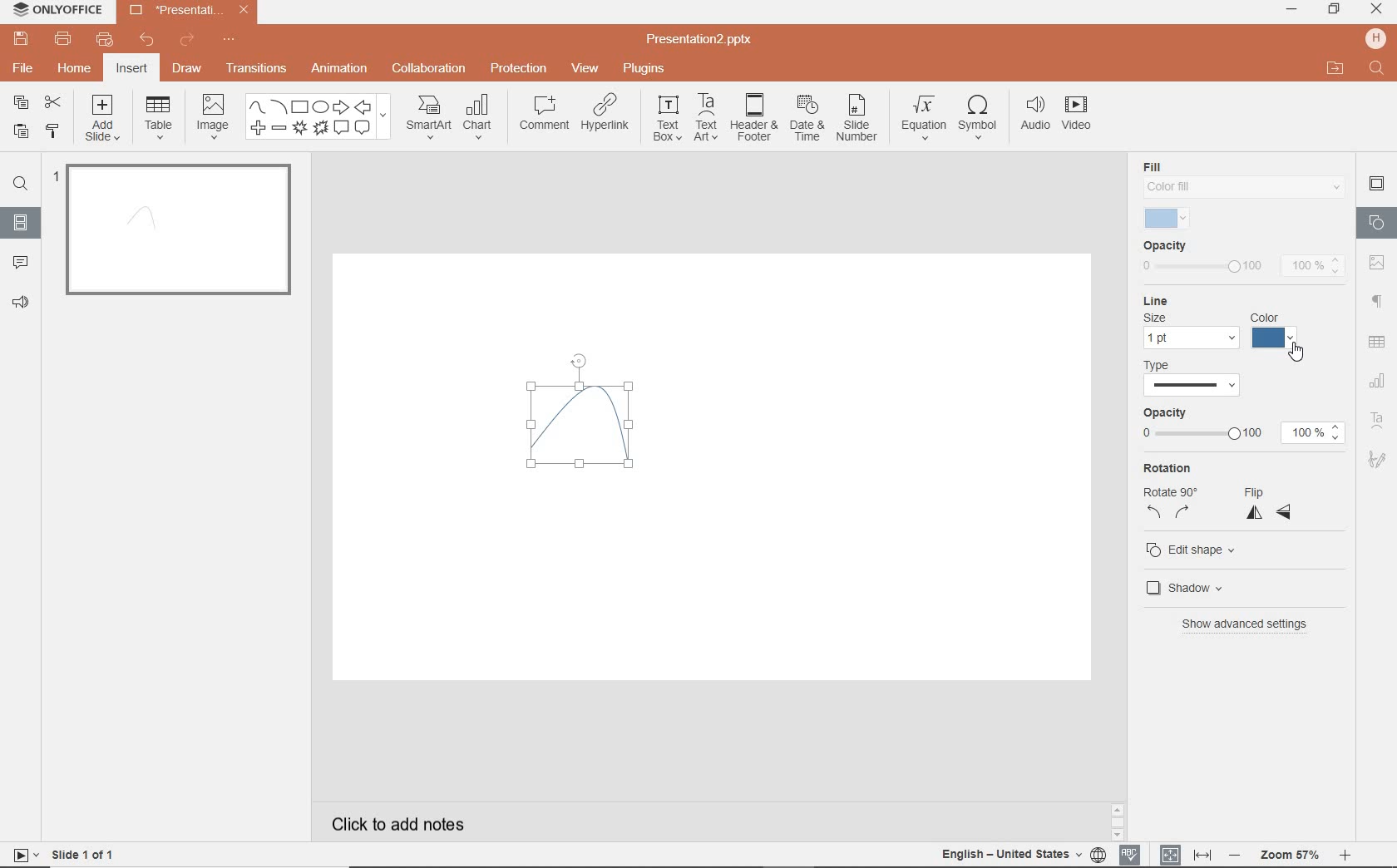 The width and height of the screenshot is (1397, 868). What do you see at coordinates (1207, 589) in the screenshot?
I see `shadow` at bounding box center [1207, 589].